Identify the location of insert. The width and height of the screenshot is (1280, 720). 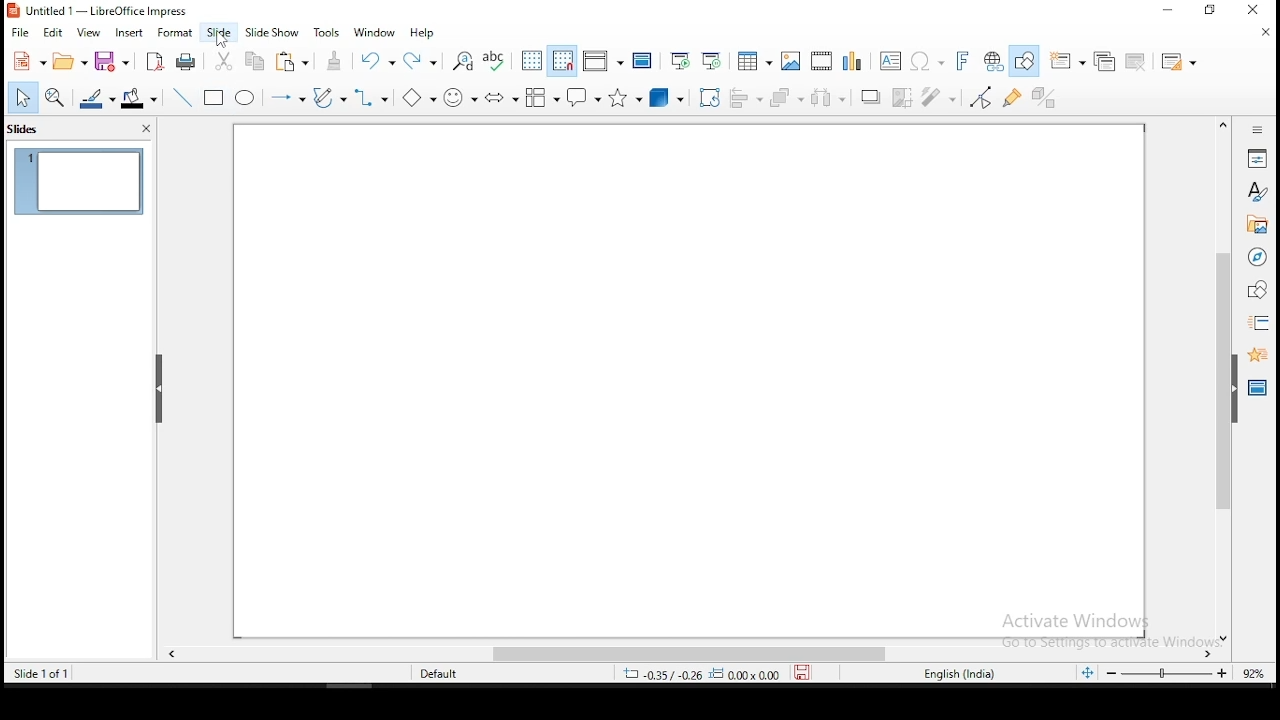
(133, 32).